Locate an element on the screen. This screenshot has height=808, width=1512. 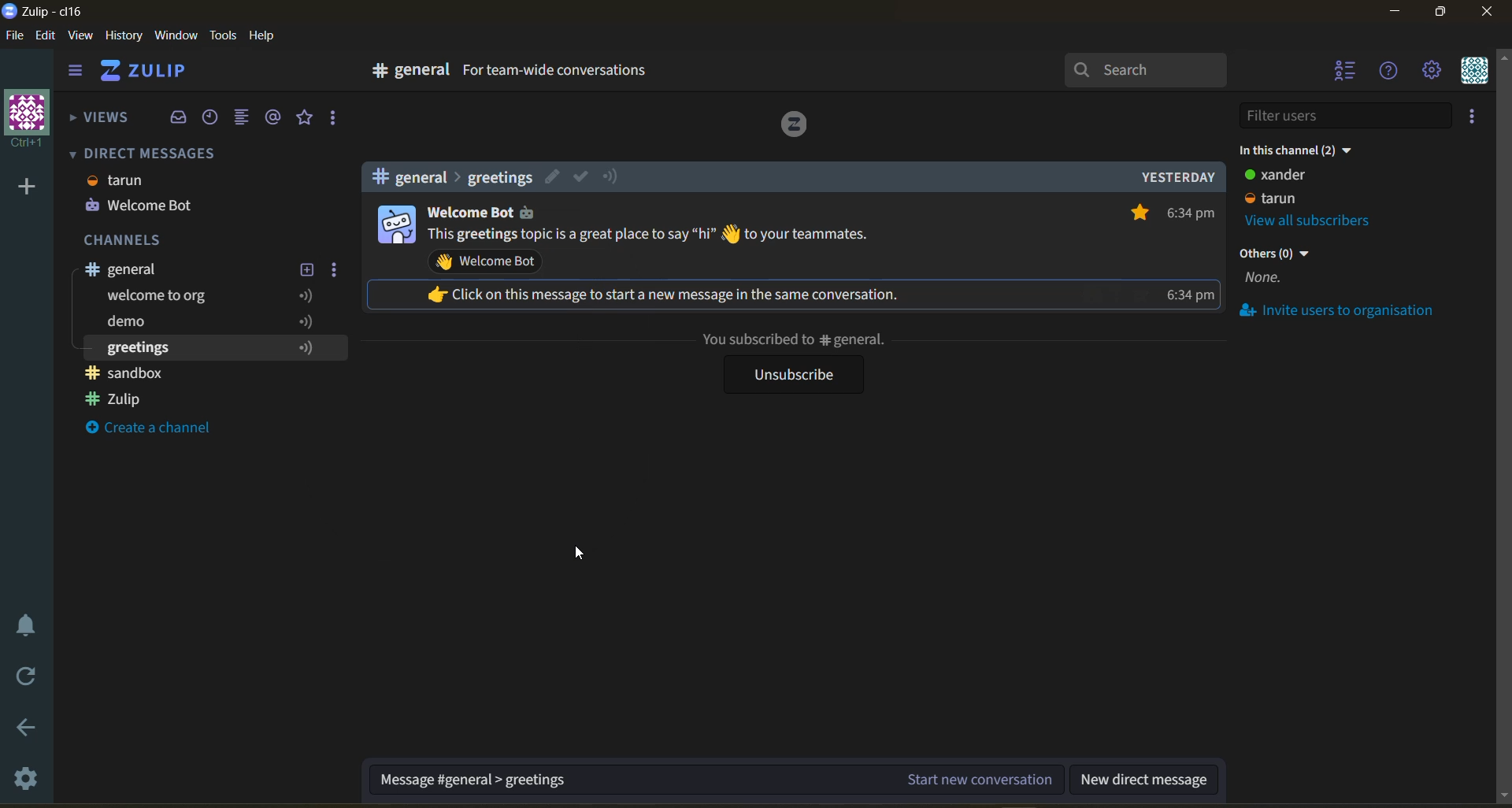
search is located at coordinates (1147, 70).